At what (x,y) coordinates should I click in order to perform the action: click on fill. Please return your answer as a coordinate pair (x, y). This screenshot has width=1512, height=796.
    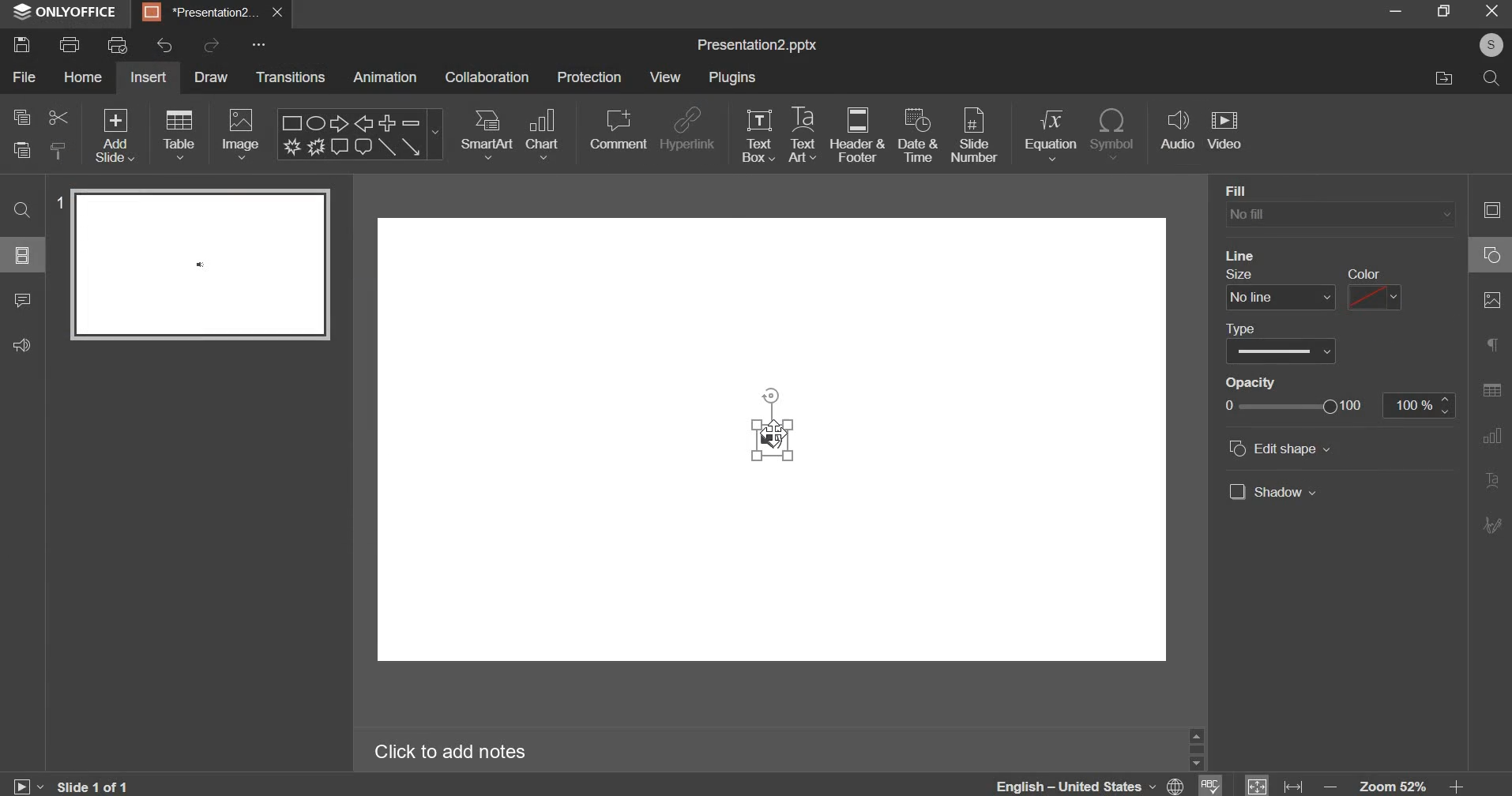
    Looking at the image, I should click on (1264, 191).